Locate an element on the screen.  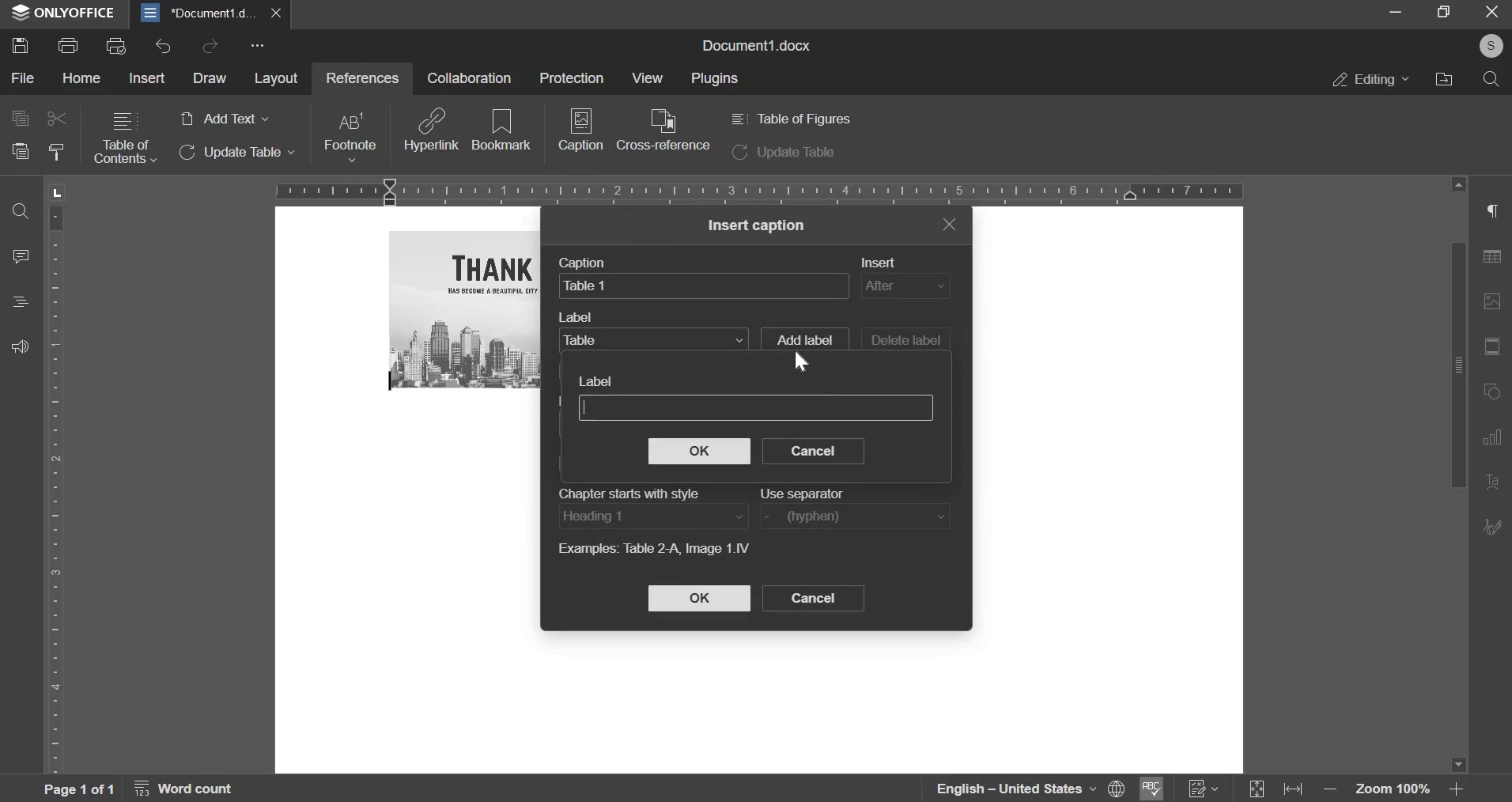
insert is located at coordinates (905, 286).